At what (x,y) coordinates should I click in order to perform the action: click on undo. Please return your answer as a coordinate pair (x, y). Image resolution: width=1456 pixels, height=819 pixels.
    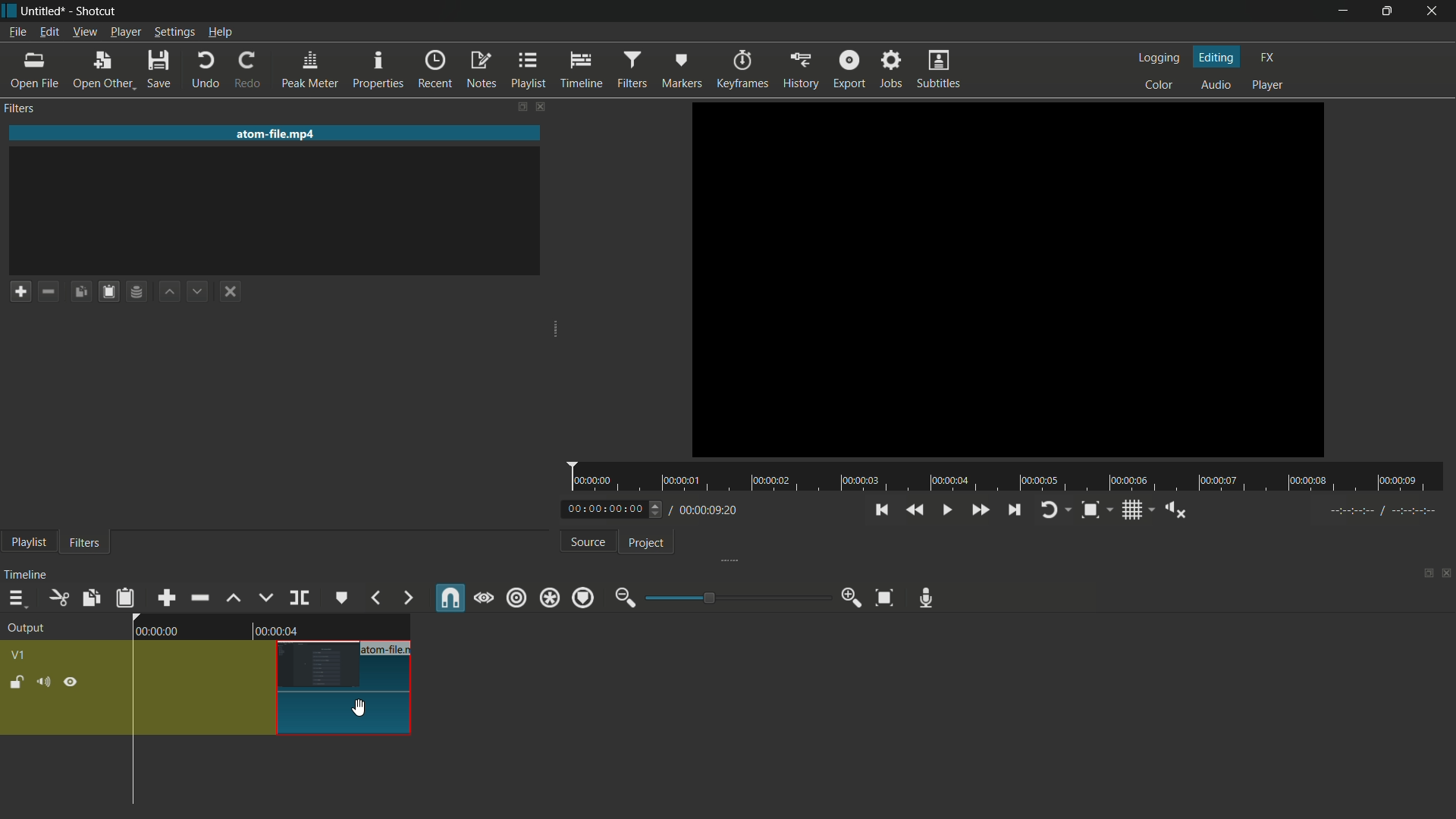
    Looking at the image, I should click on (206, 71).